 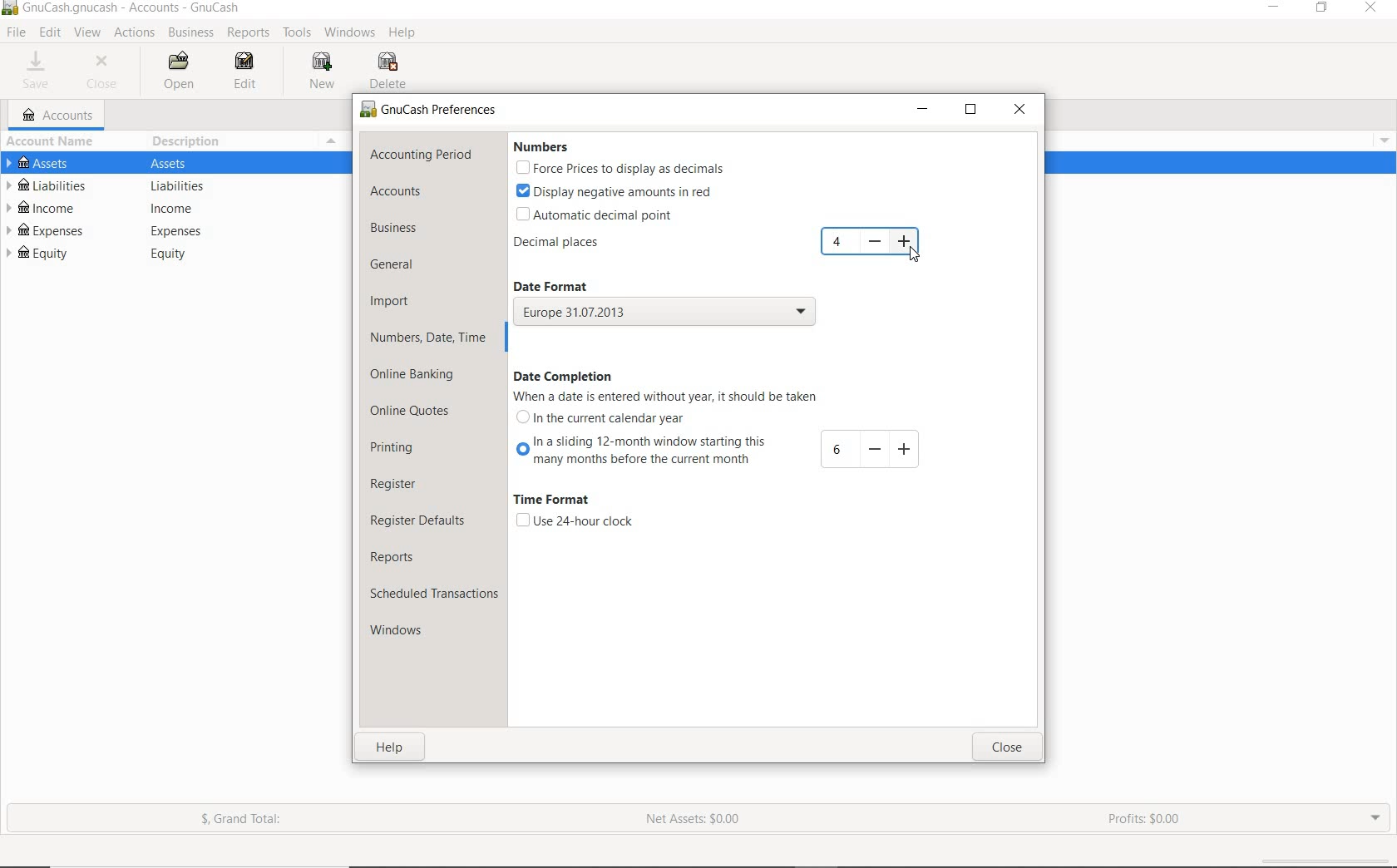 What do you see at coordinates (189, 141) in the screenshot?
I see `DESCRIPTION` at bounding box center [189, 141].